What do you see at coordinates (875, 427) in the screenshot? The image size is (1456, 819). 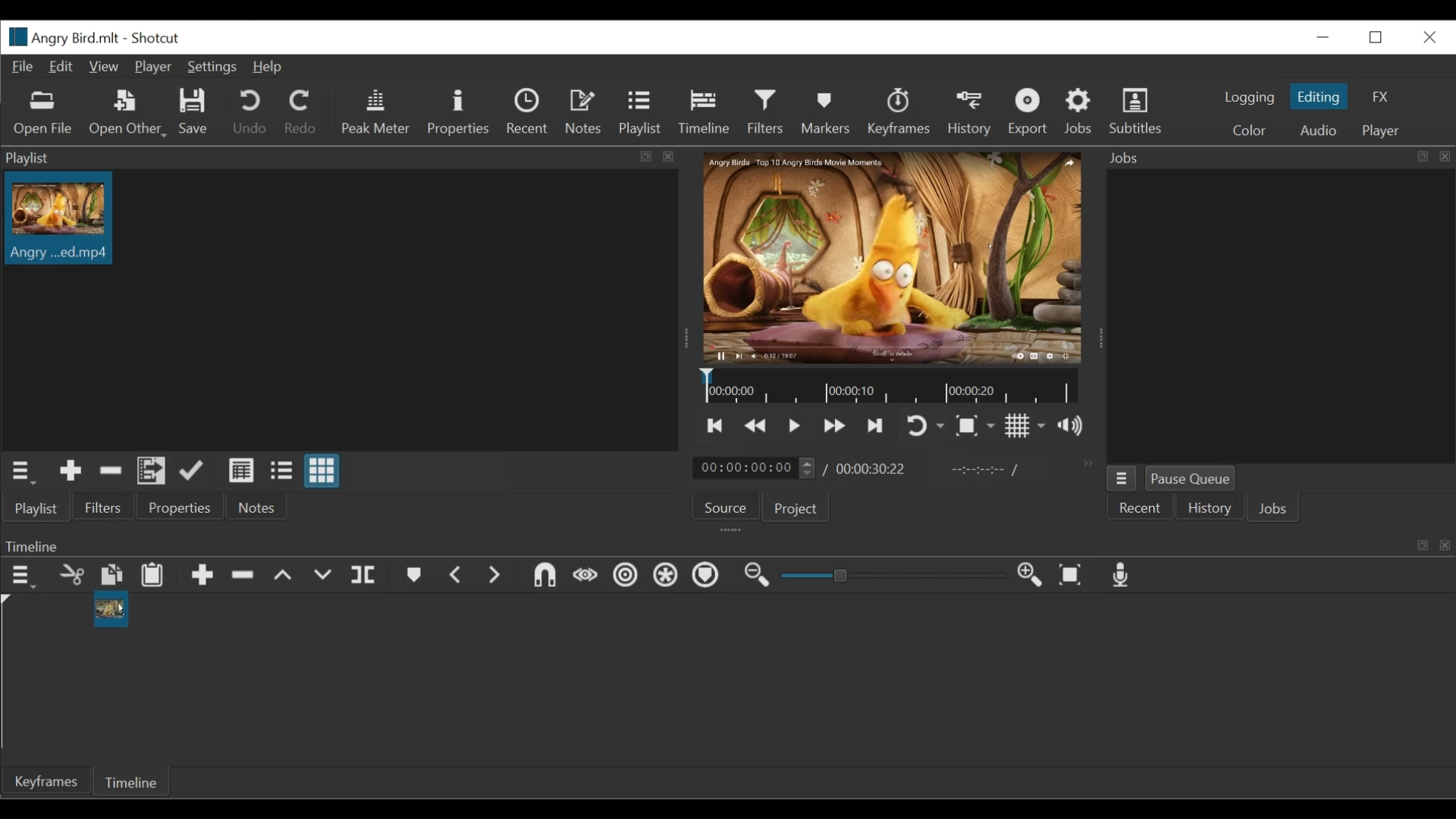 I see `Skip to the next point` at bounding box center [875, 427].